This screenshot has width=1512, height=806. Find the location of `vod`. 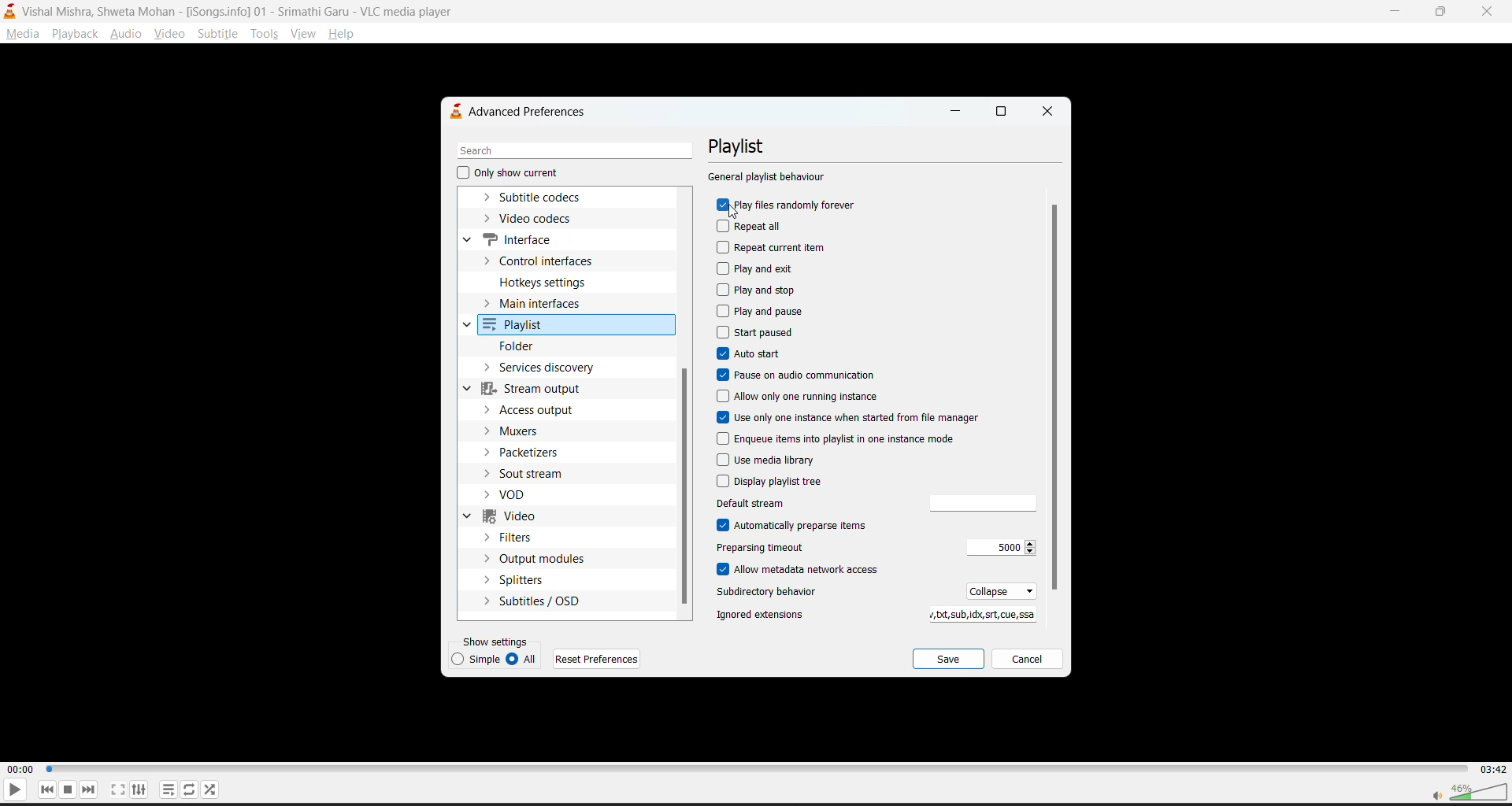

vod is located at coordinates (515, 495).